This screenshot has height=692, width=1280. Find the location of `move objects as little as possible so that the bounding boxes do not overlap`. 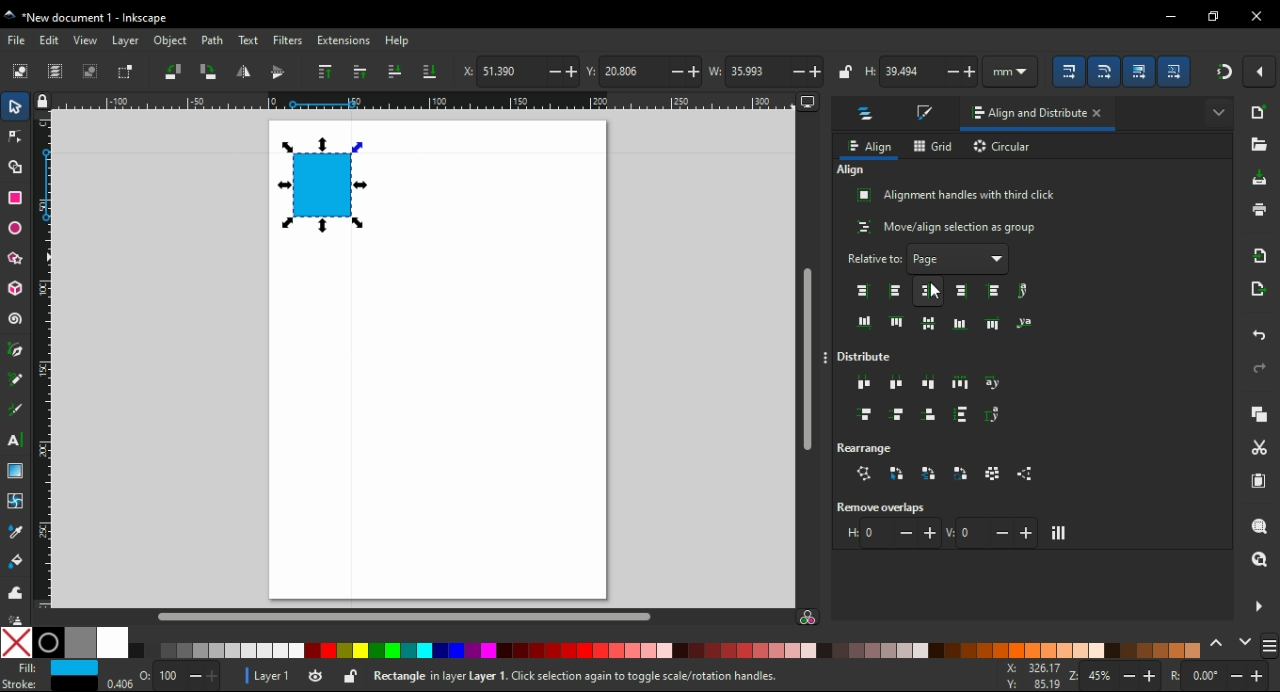

move objects as little as possible so that the bounding boxes do not overlap is located at coordinates (1060, 533).